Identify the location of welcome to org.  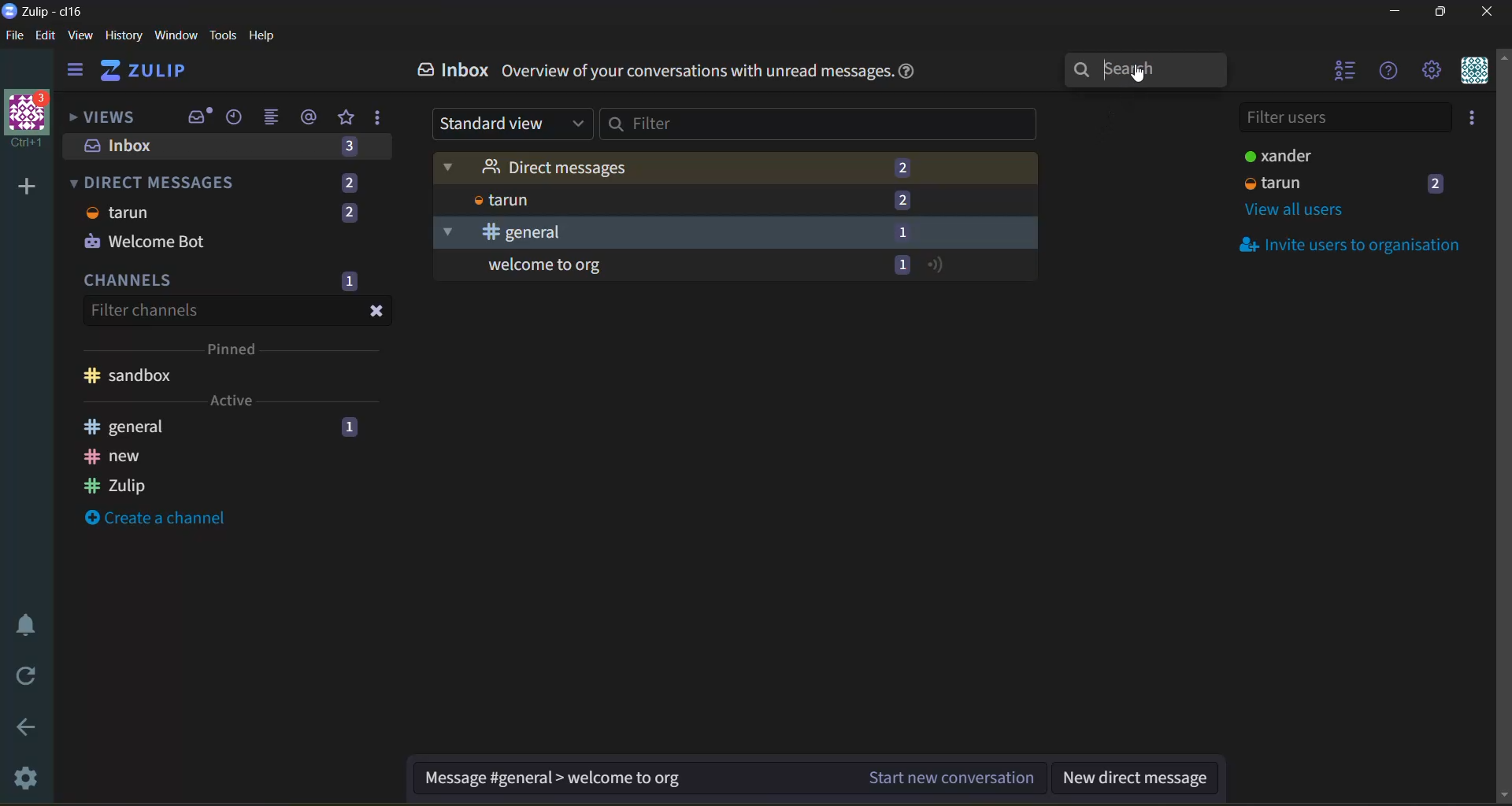
(541, 265).